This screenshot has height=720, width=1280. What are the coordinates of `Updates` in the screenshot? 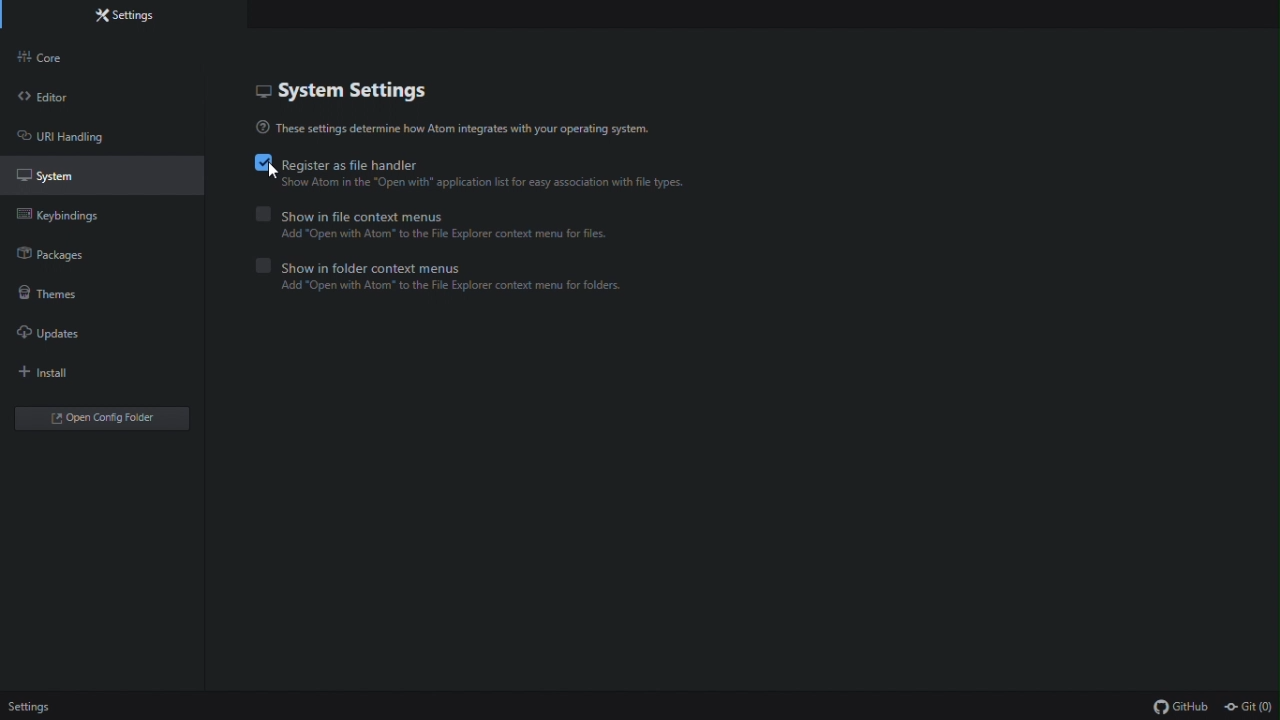 It's located at (67, 337).